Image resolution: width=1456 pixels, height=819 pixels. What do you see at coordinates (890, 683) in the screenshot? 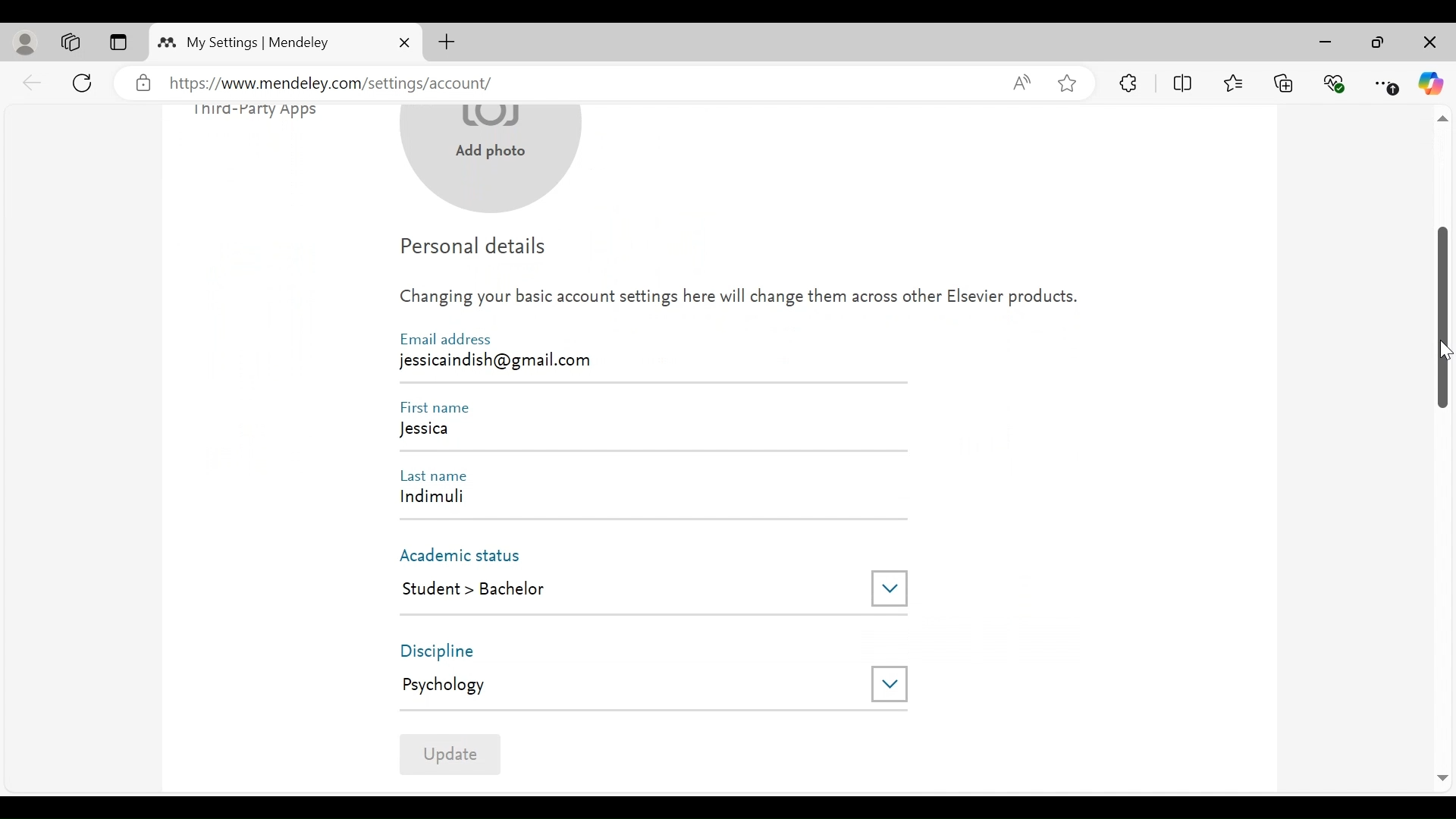
I see `Drop down` at bounding box center [890, 683].